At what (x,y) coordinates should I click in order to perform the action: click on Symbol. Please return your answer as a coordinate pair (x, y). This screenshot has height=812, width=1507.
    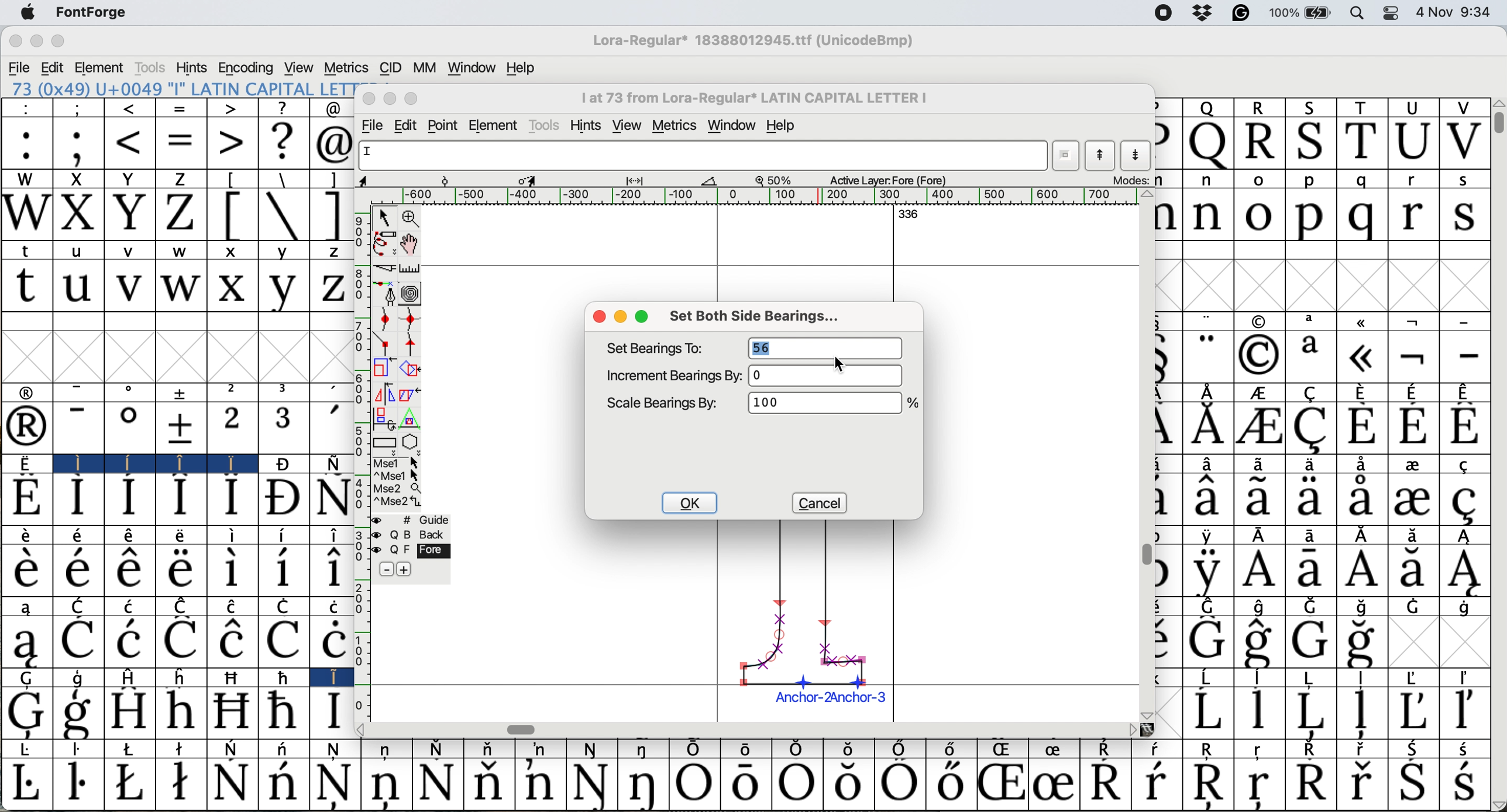
    Looking at the image, I should click on (334, 462).